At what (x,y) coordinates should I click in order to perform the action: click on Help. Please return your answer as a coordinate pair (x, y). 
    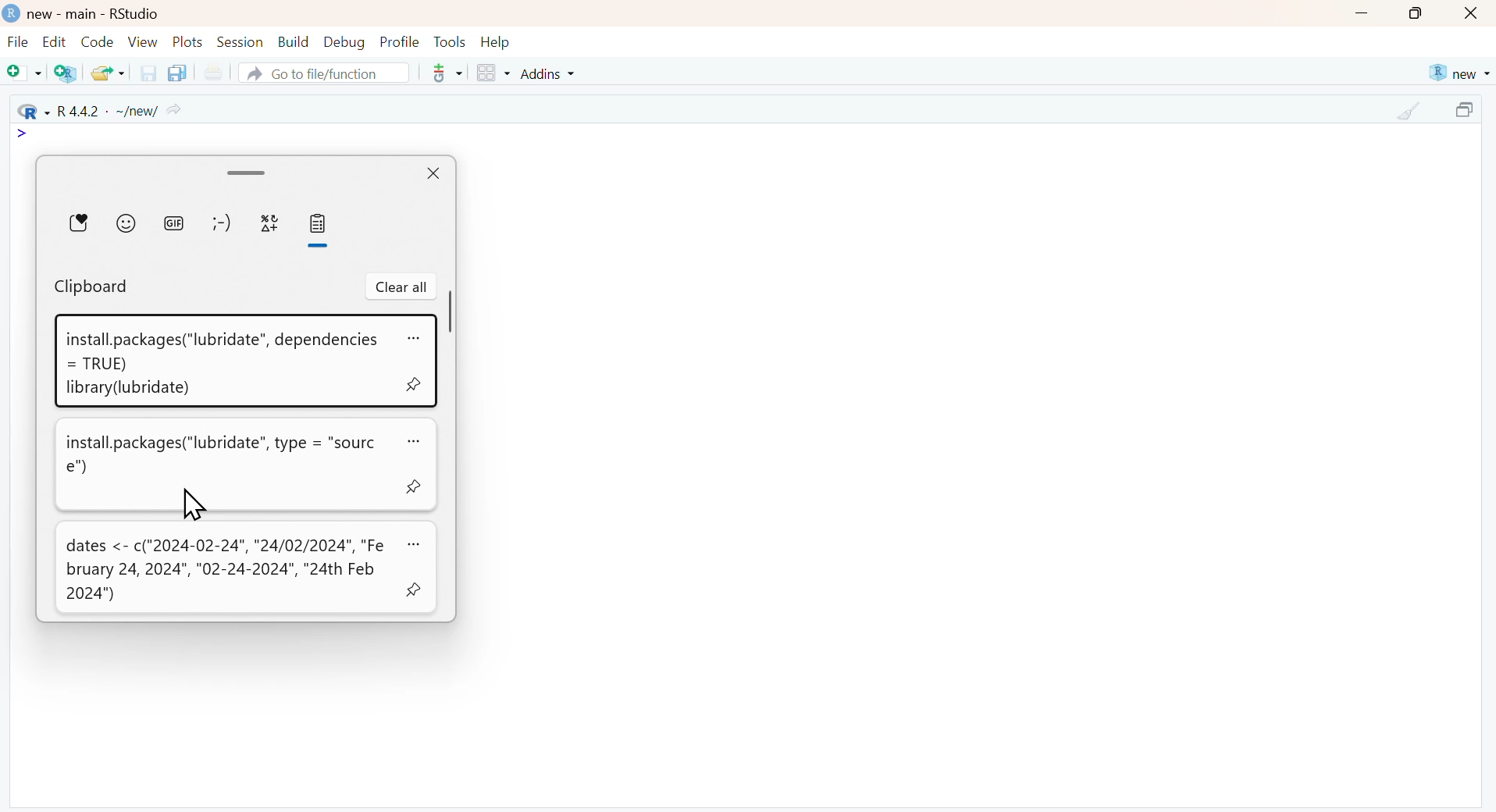
    Looking at the image, I should click on (496, 42).